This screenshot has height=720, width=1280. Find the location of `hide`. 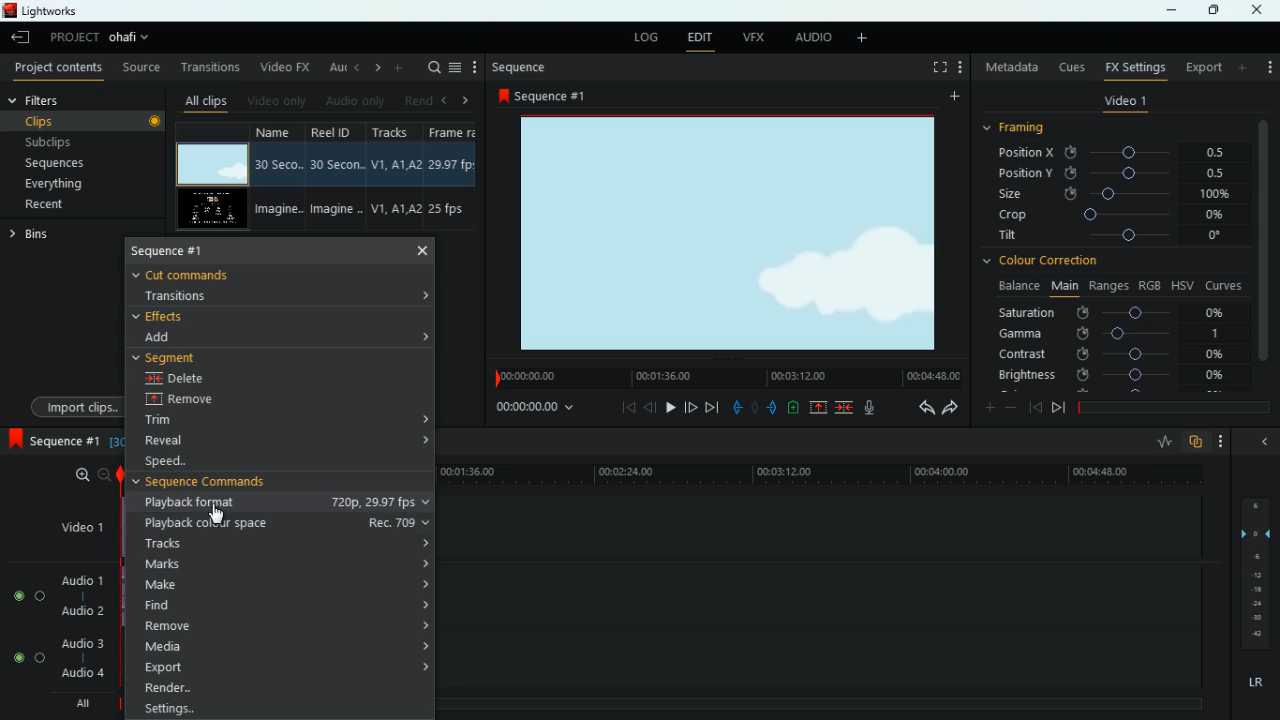

hide is located at coordinates (1260, 440).